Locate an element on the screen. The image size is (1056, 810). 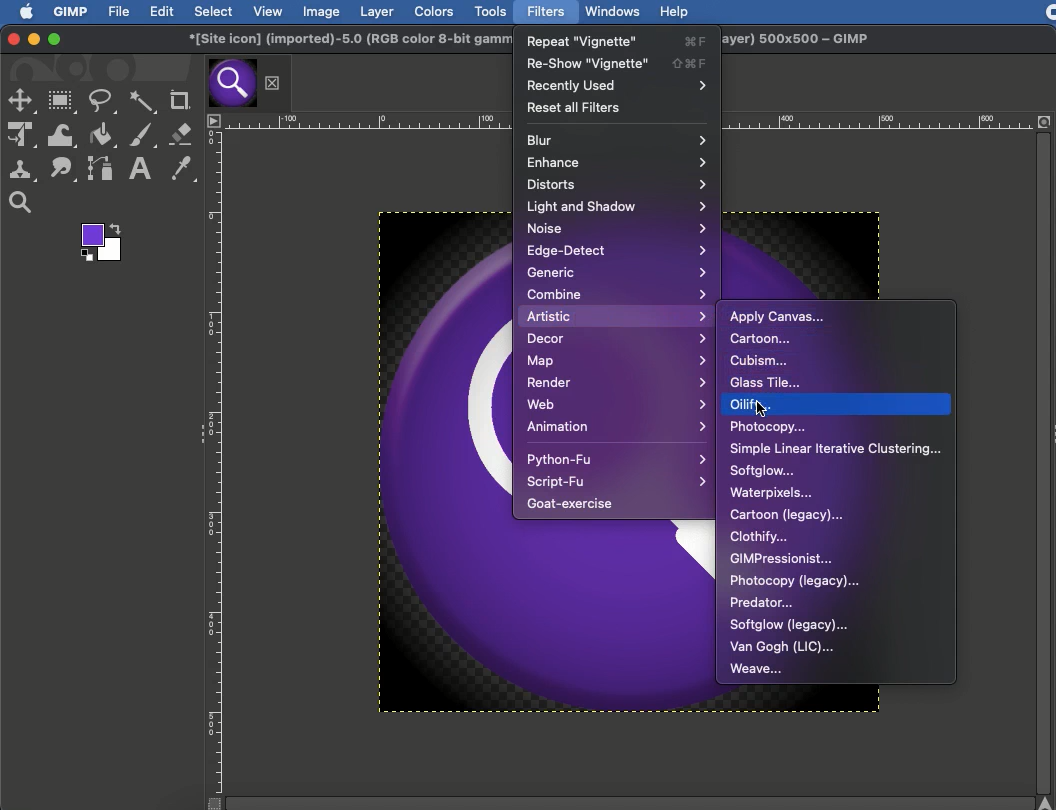
Repeat vignette is located at coordinates (619, 39).